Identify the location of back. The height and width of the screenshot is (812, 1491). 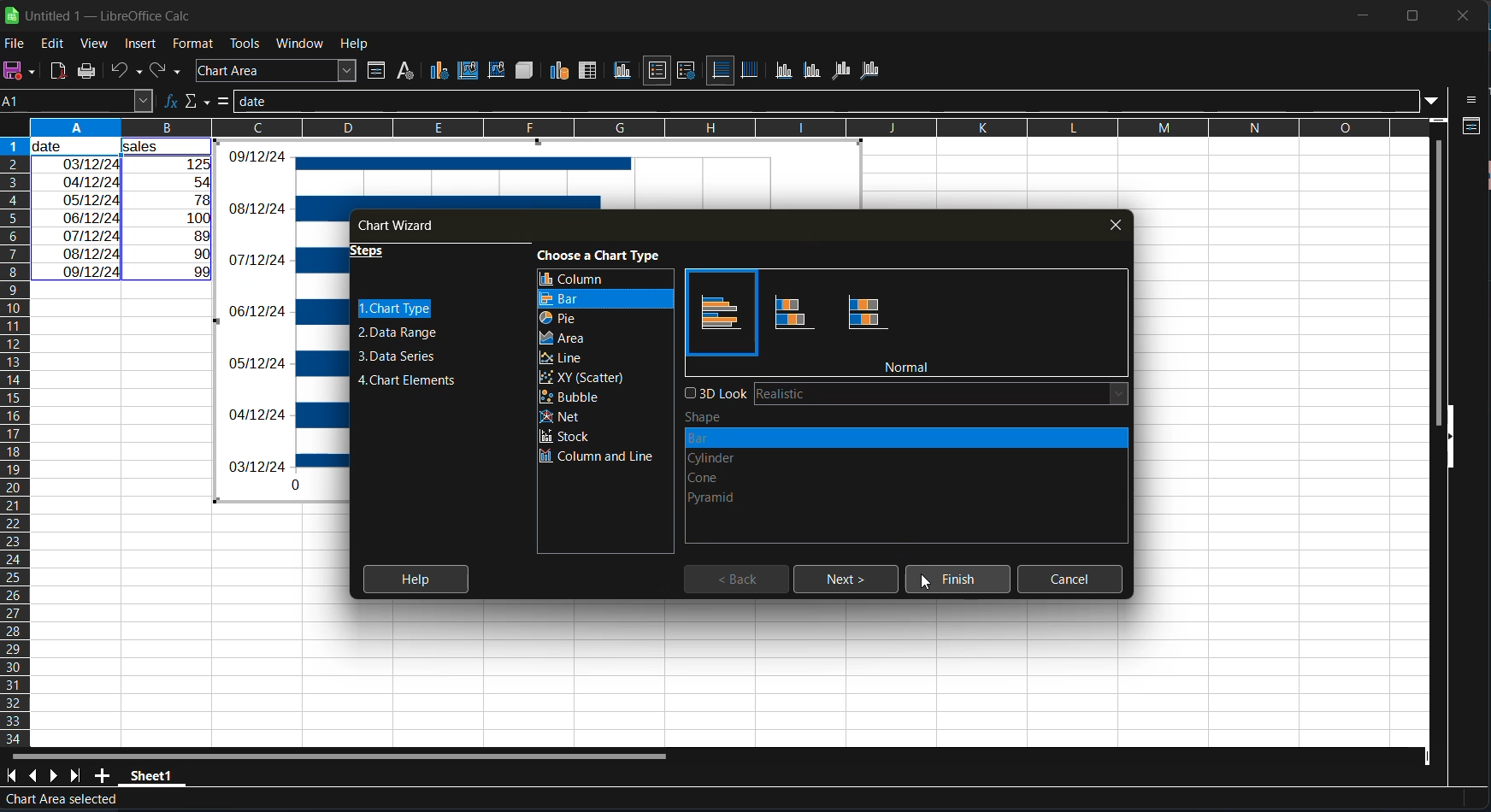
(744, 580).